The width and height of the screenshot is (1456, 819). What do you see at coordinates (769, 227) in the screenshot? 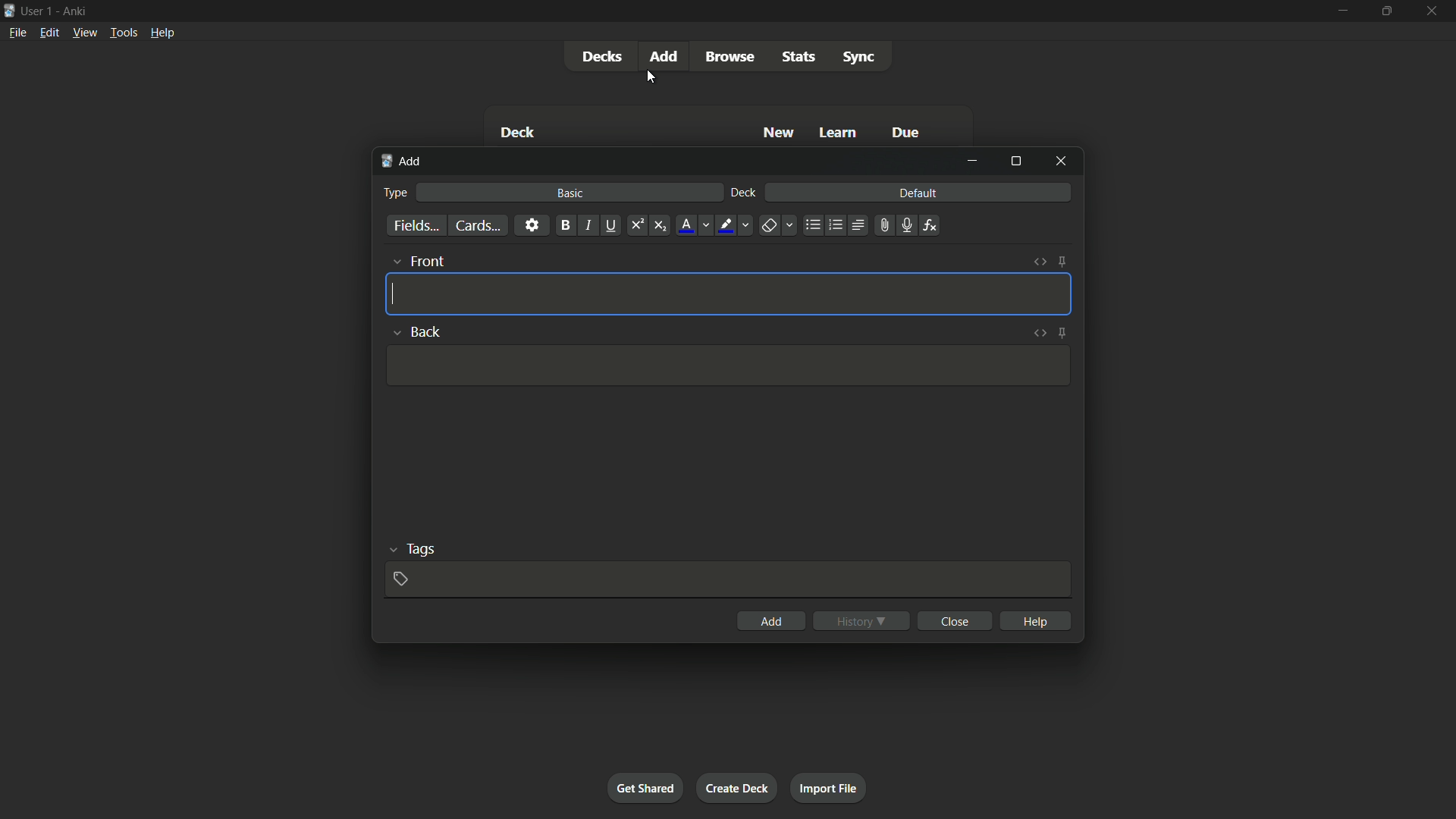
I see `remove formatting` at bounding box center [769, 227].